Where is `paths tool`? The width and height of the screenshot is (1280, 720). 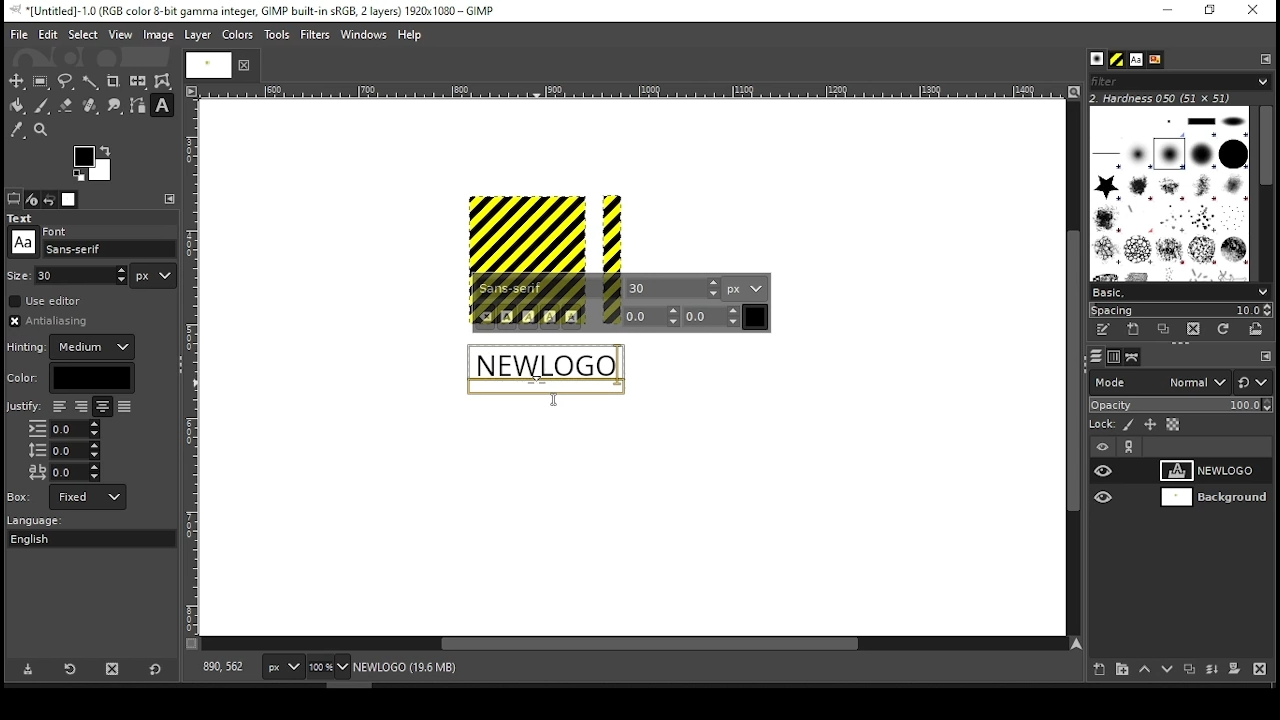
paths tool is located at coordinates (139, 107).